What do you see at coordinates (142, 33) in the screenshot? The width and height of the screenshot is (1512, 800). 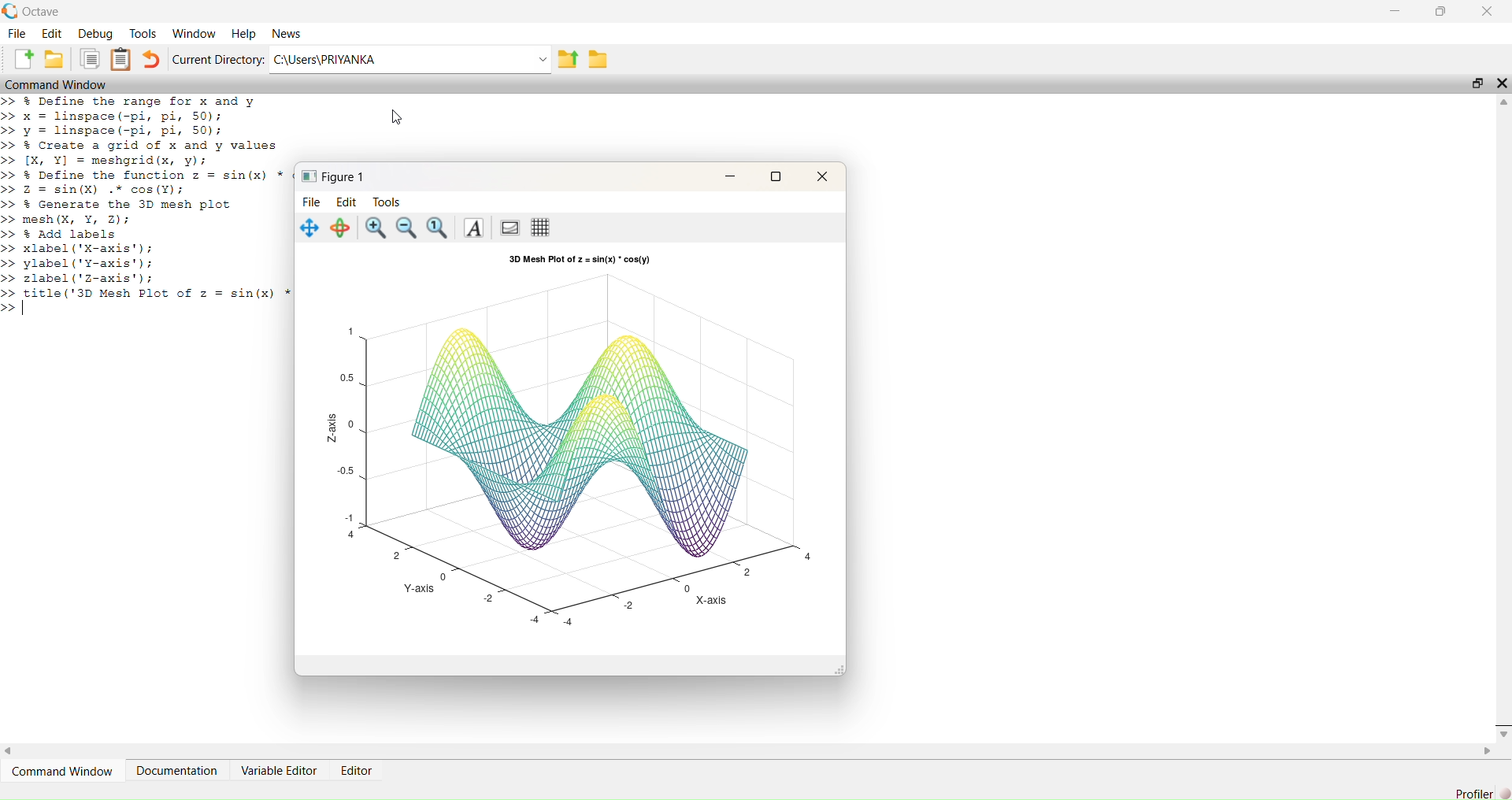 I see `Tools` at bounding box center [142, 33].